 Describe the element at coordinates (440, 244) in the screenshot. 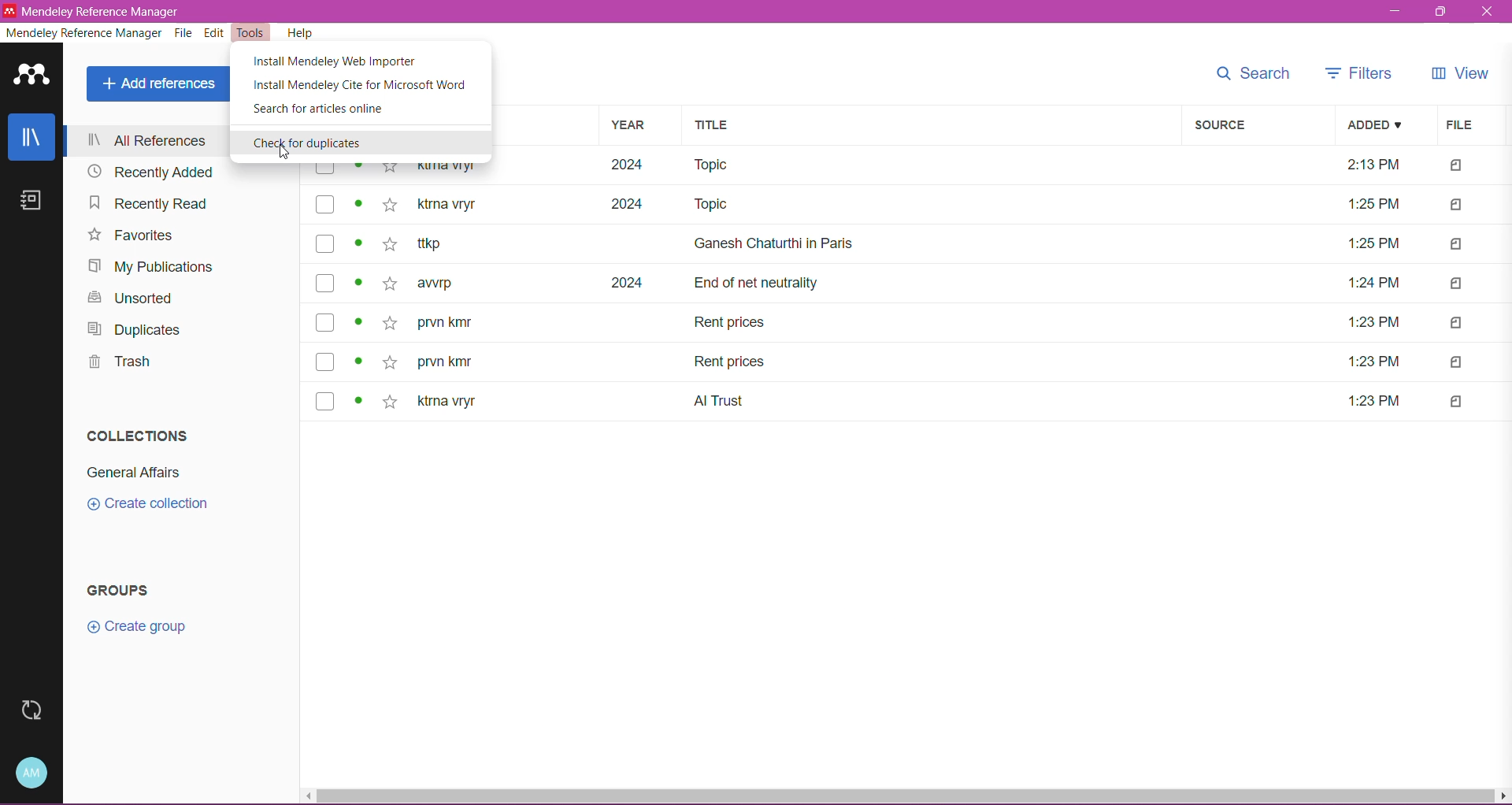

I see `author` at that location.